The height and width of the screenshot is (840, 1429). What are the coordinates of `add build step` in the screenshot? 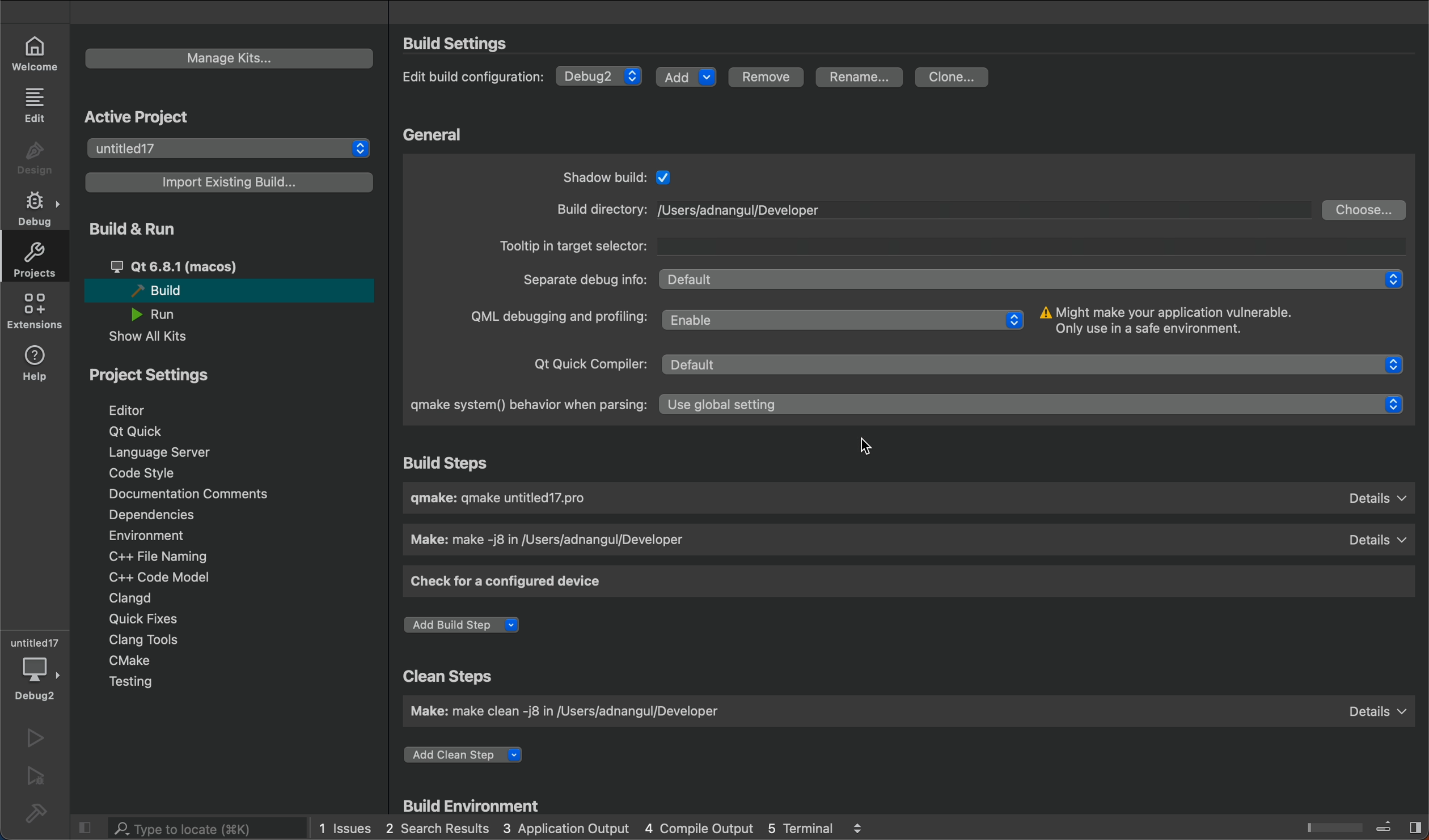 It's located at (455, 631).